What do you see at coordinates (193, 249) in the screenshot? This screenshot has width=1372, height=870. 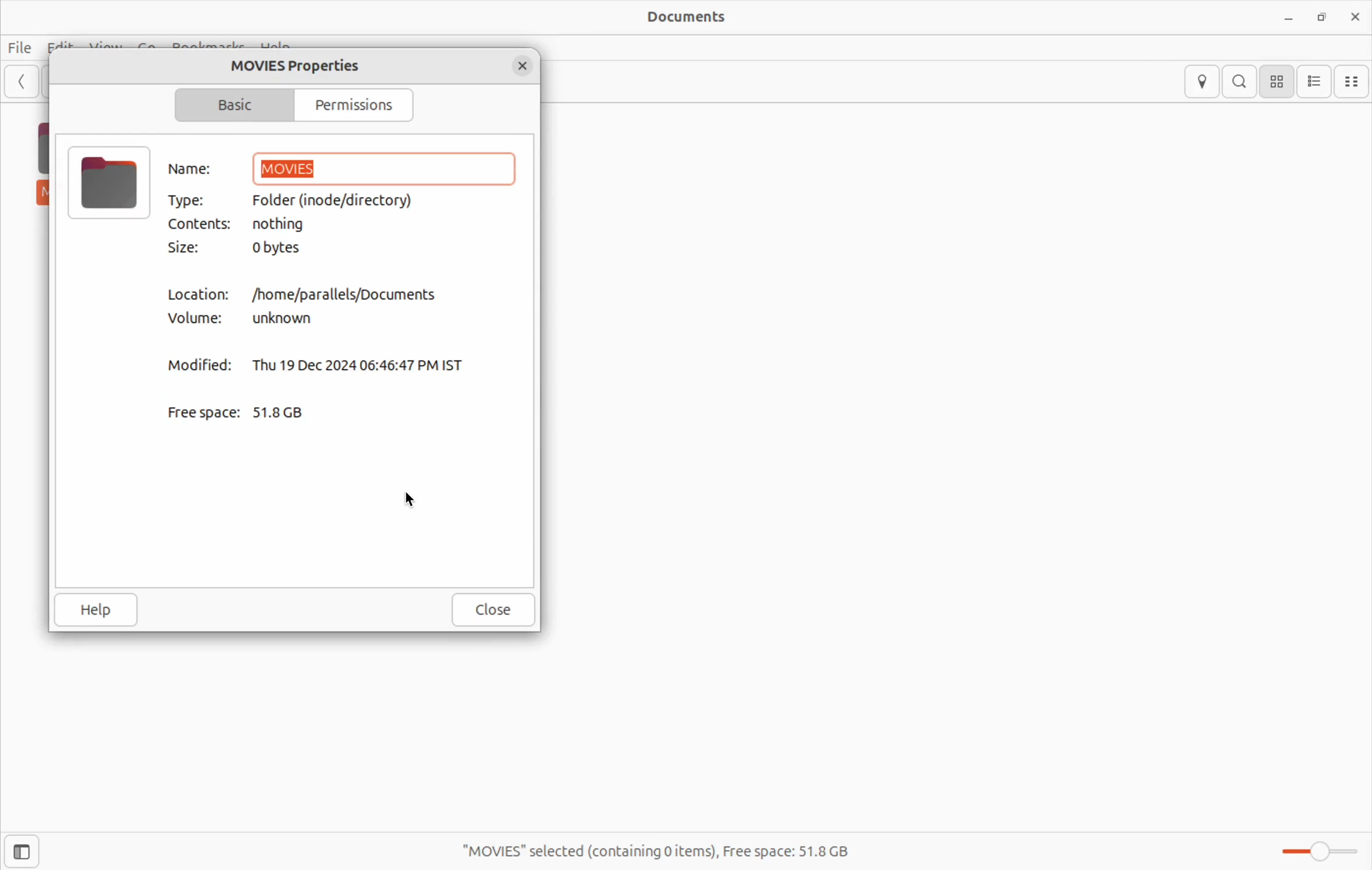 I see `Size:` at bounding box center [193, 249].